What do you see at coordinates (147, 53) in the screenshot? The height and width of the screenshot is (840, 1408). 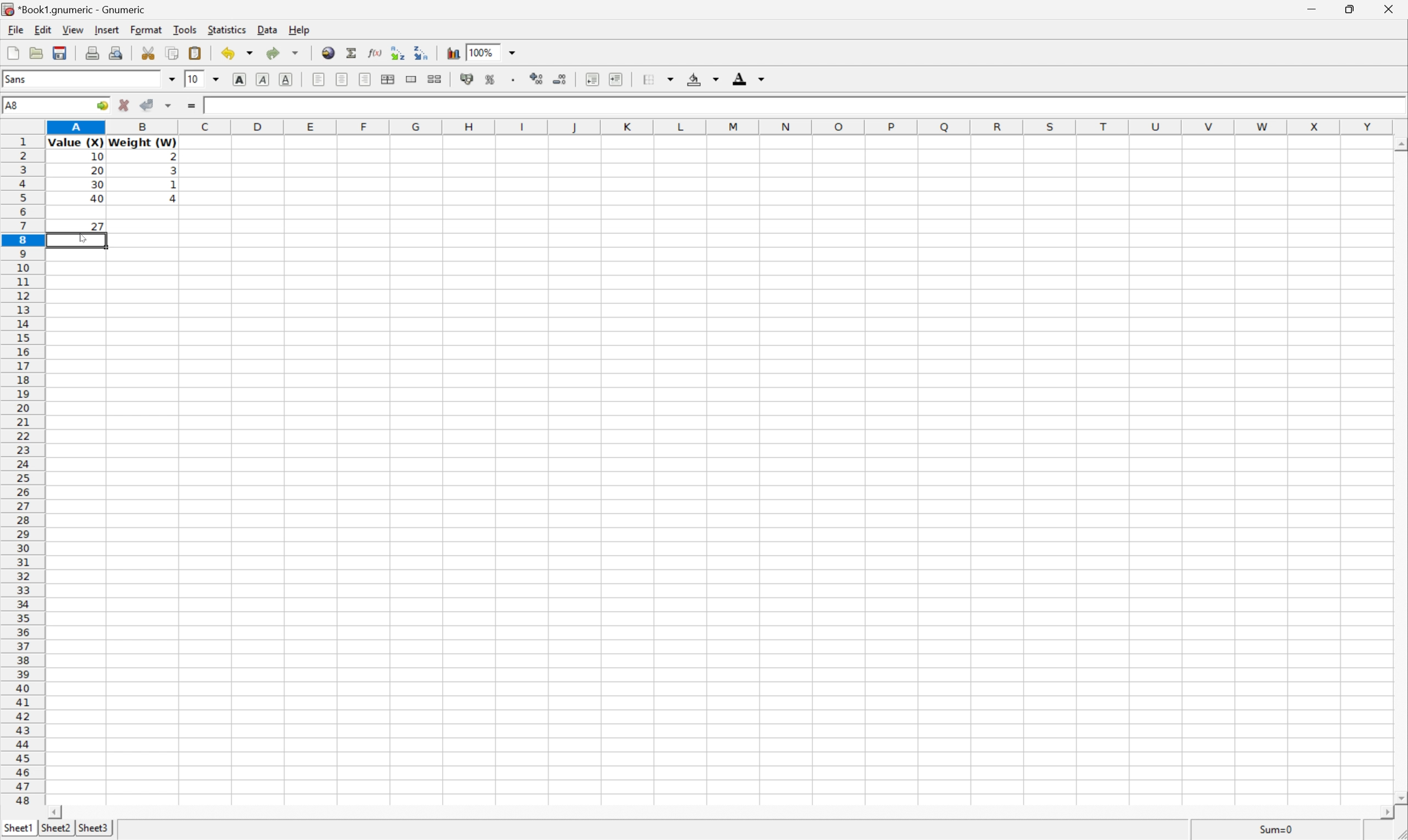 I see `Cut selection` at bounding box center [147, 53].